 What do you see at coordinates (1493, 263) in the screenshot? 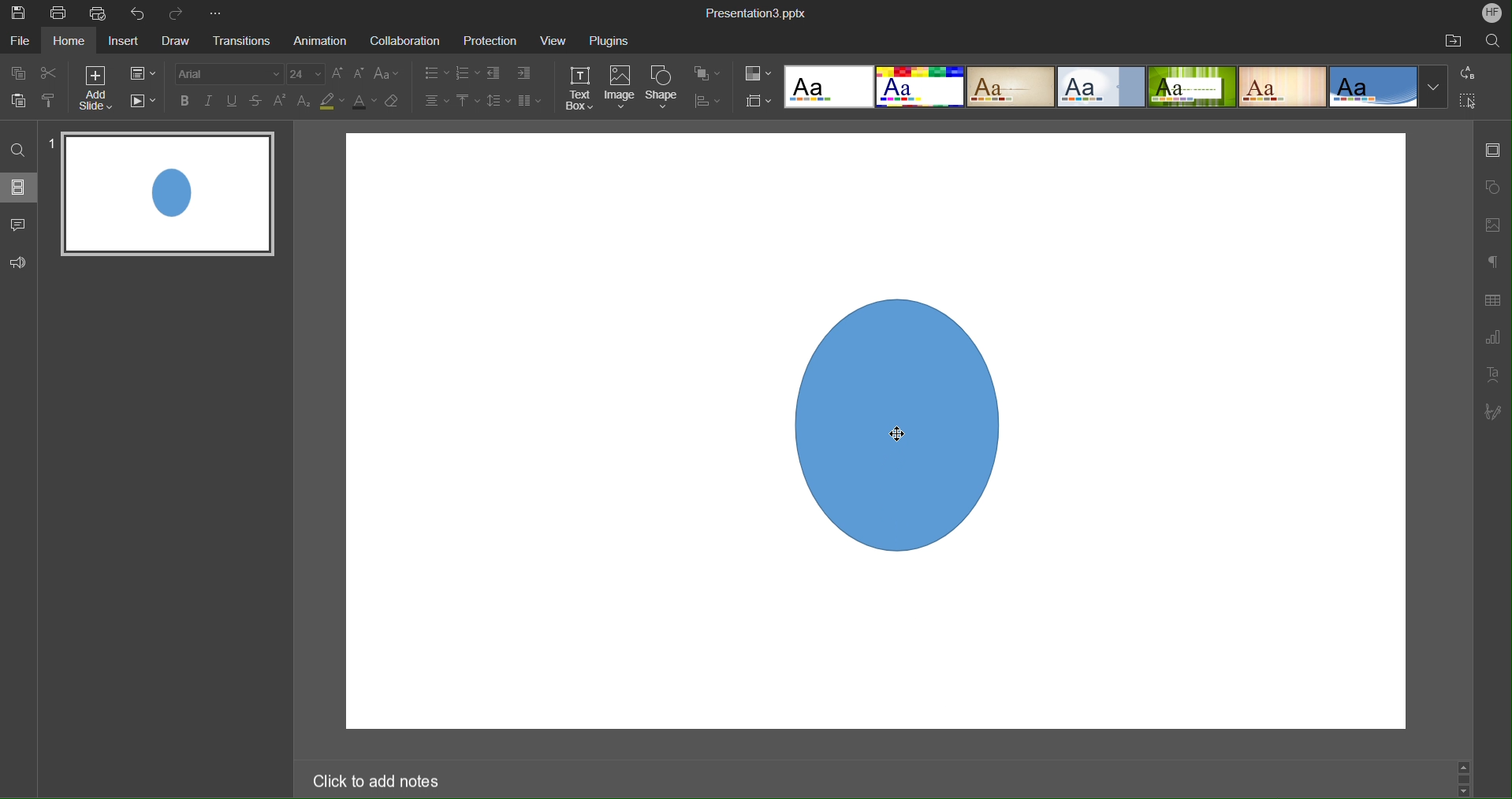
I see `Non-Printing Characters` at bounding box center [1493, 263].